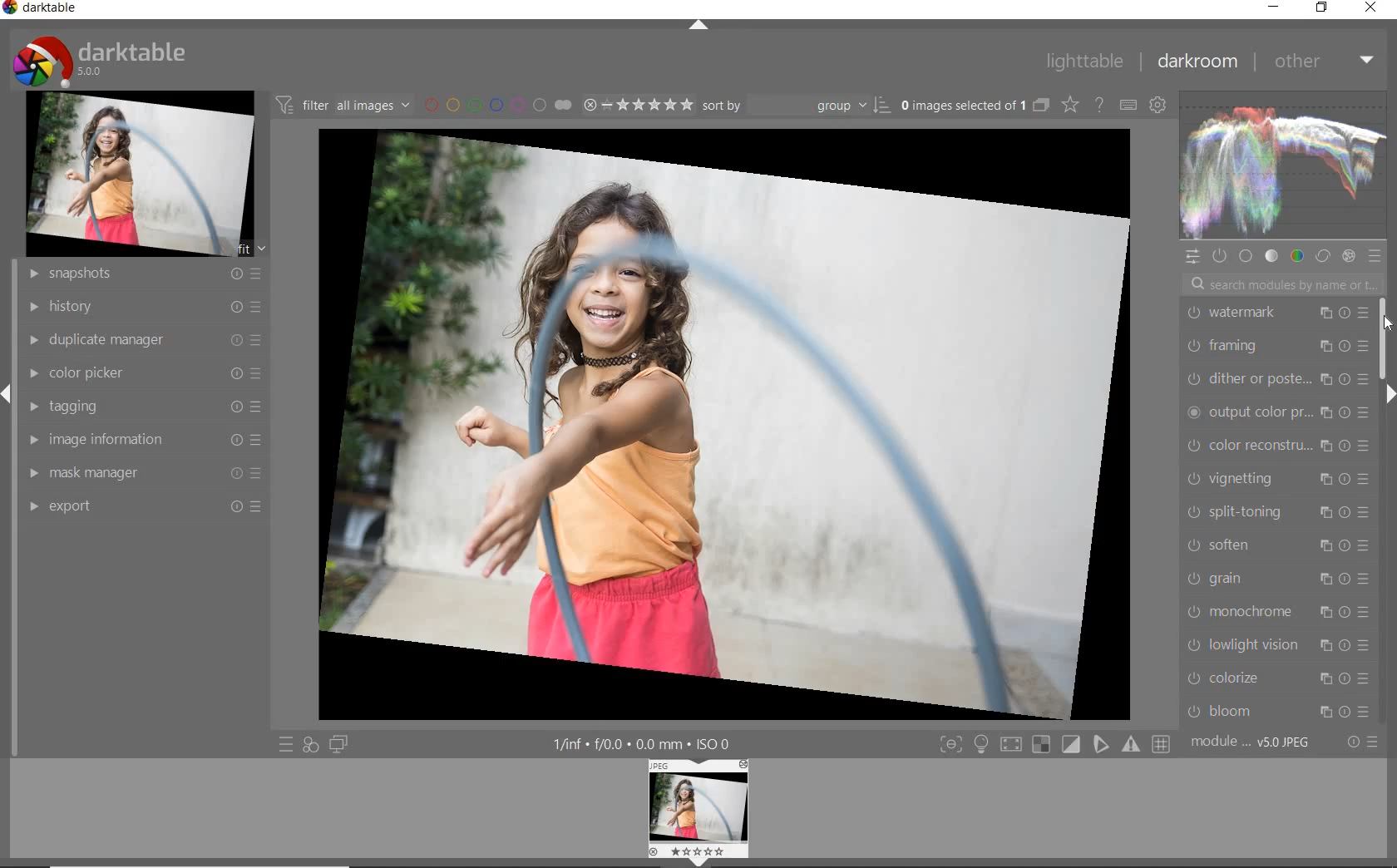 The width and height of the screenshot is (1397, 868). I want to click on define keyboard shortcut, so click(1128, 106).